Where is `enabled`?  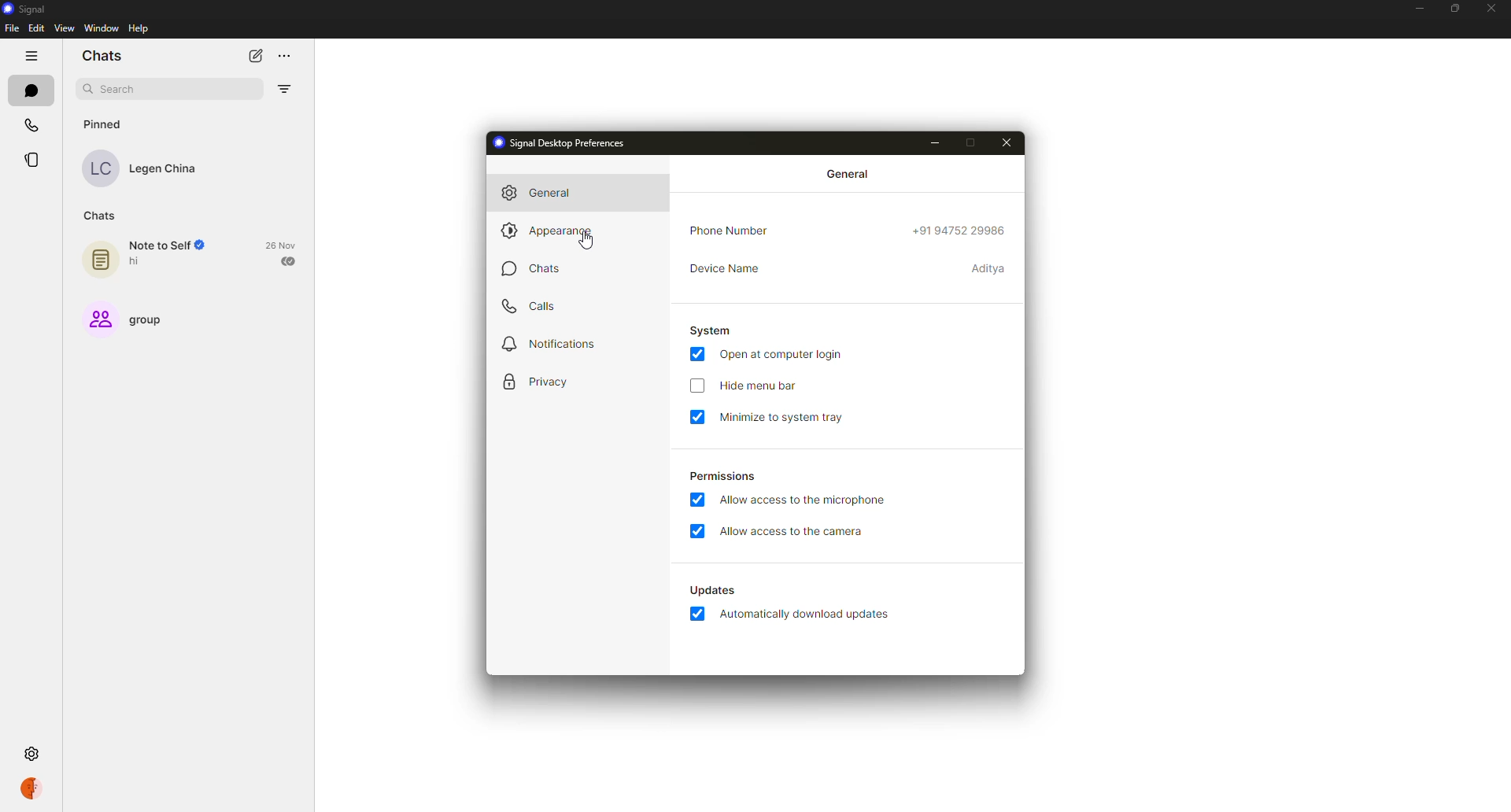
enabled is located at coordinates (700, 354).